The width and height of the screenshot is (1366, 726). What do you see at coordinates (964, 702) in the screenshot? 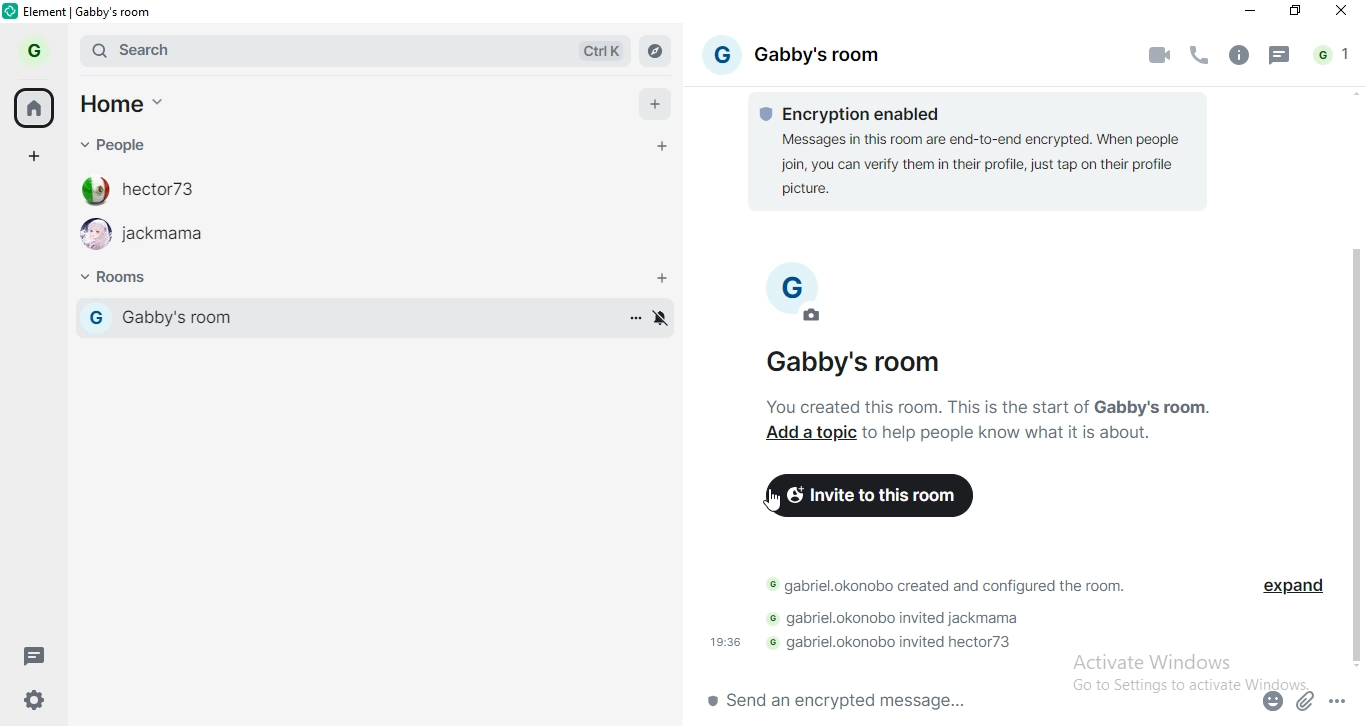
I see `chat box` at bounding box center [964, 702].